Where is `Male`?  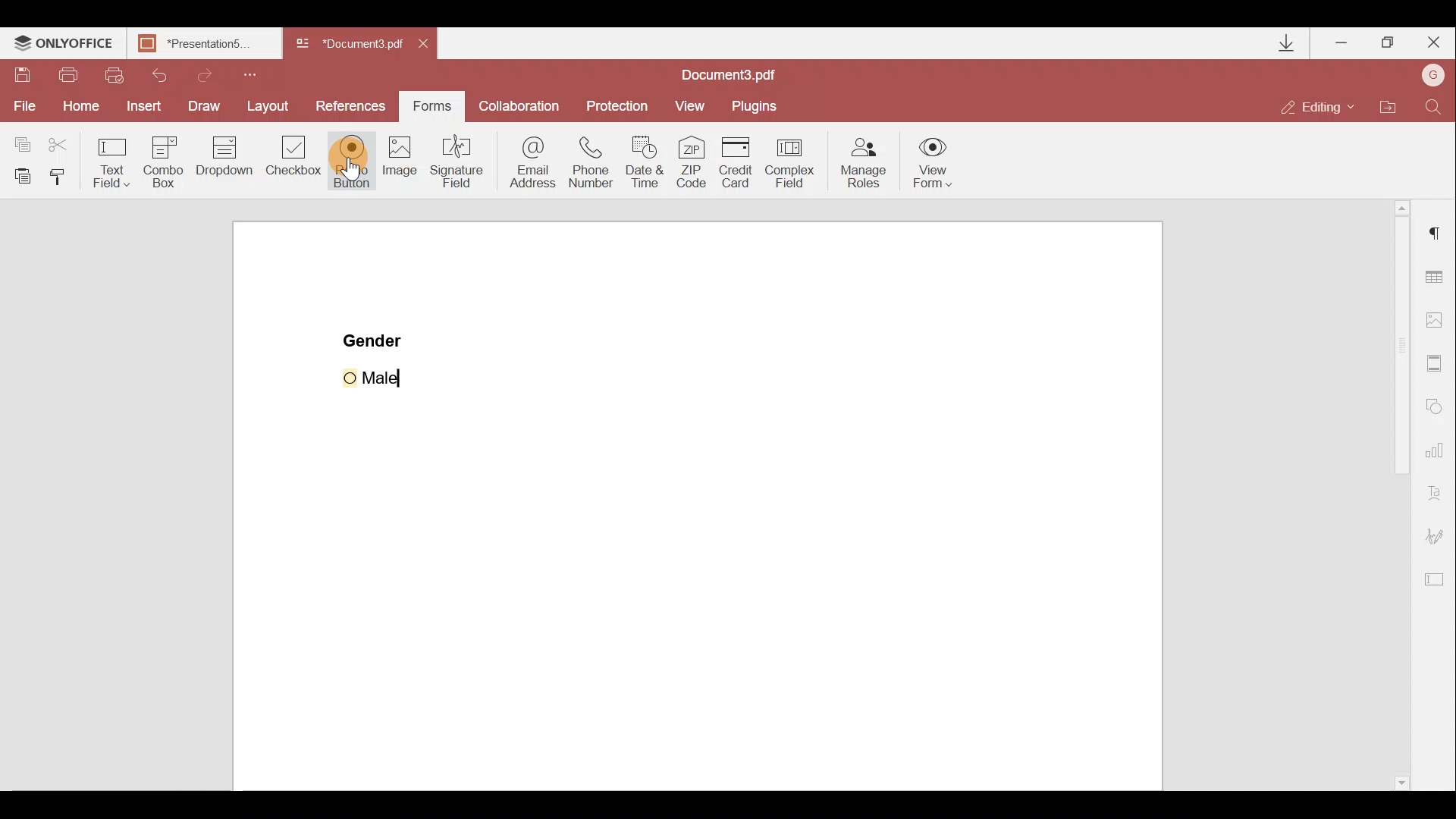 Male is located at coordinates (392, 375).